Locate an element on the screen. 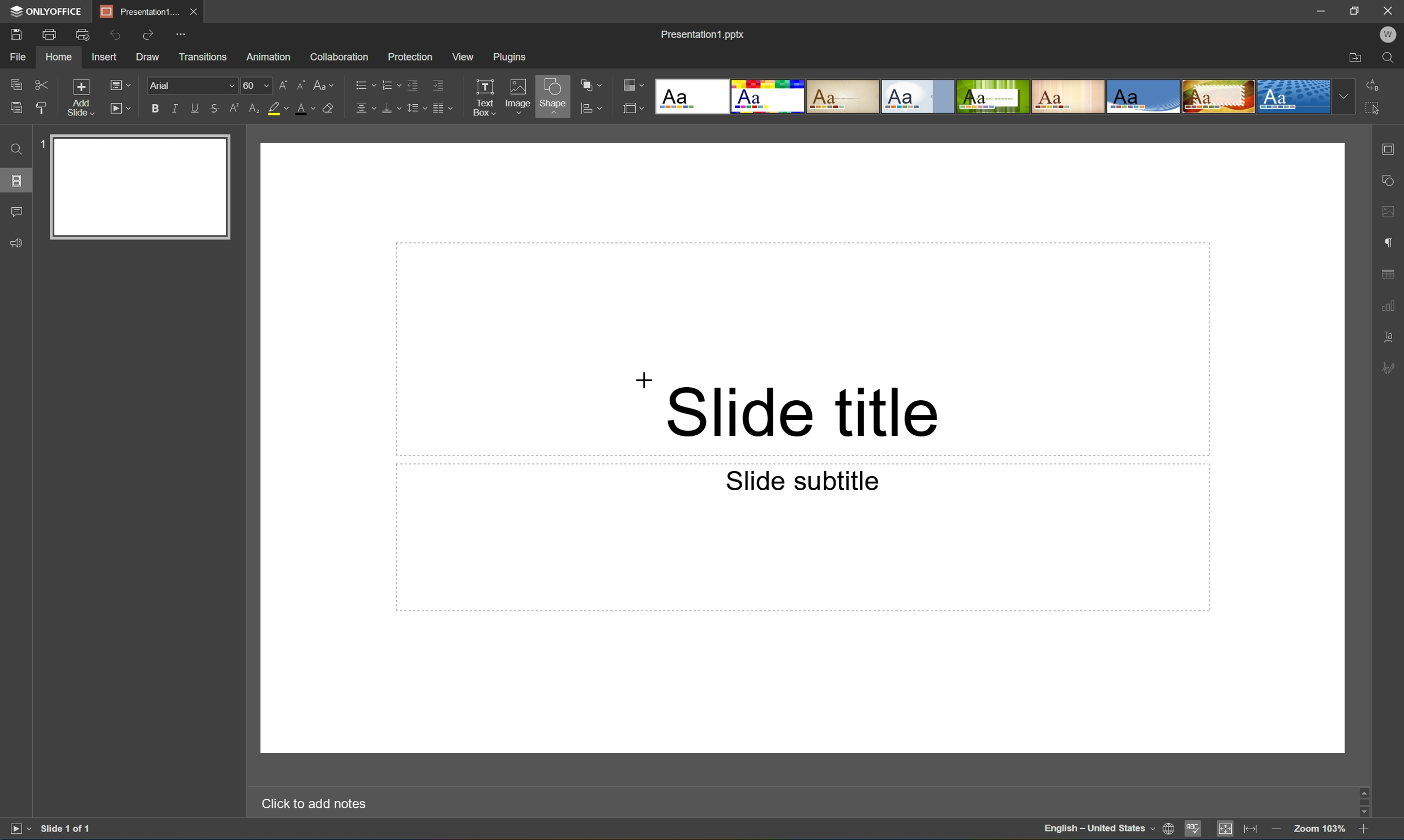 The width and height of the screenshot is (1404, 840). Select all is located at coordinates (1373, 112).